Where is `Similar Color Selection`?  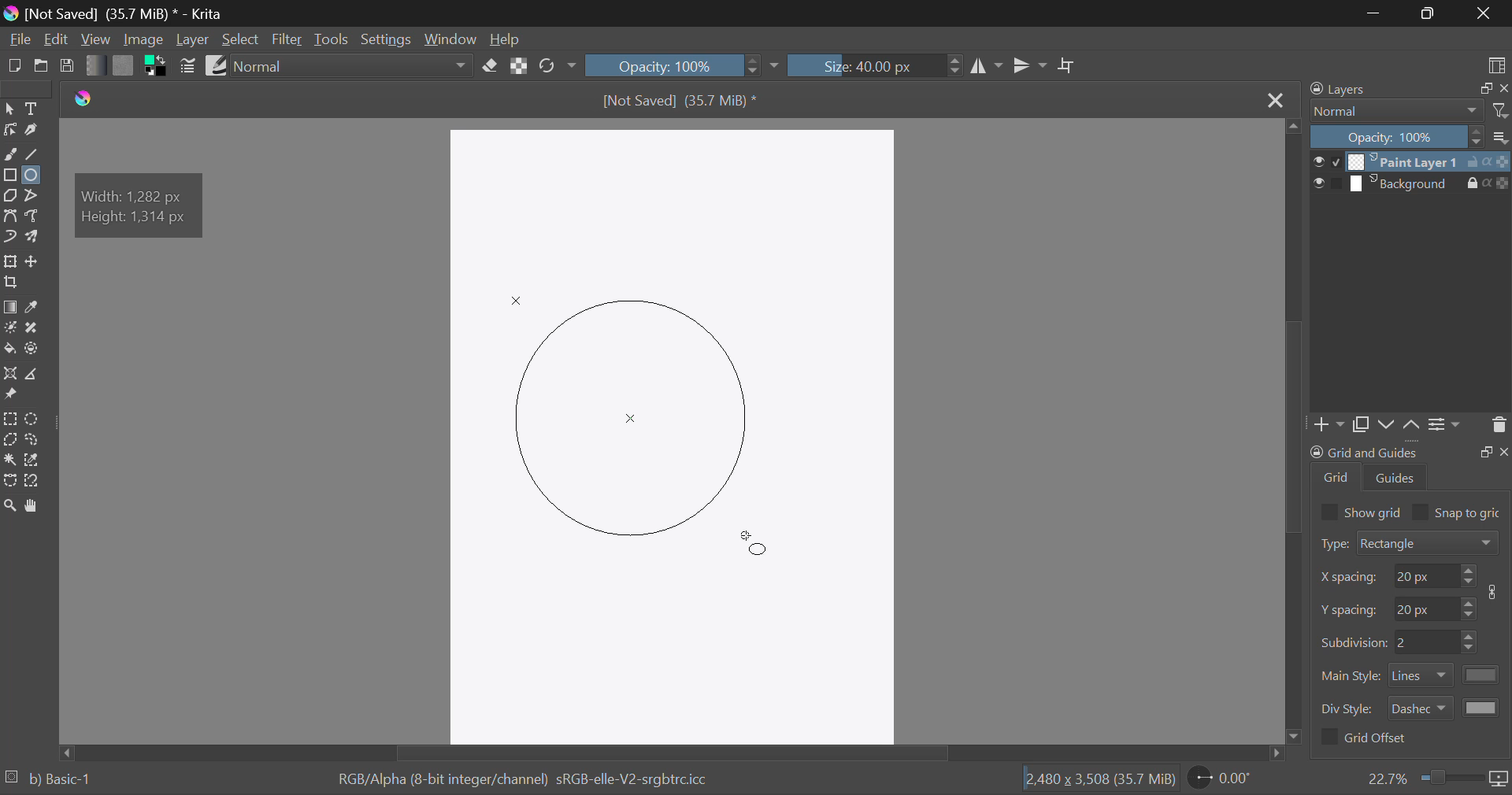
Similar Color Selection is located at coordinates (32, 461).